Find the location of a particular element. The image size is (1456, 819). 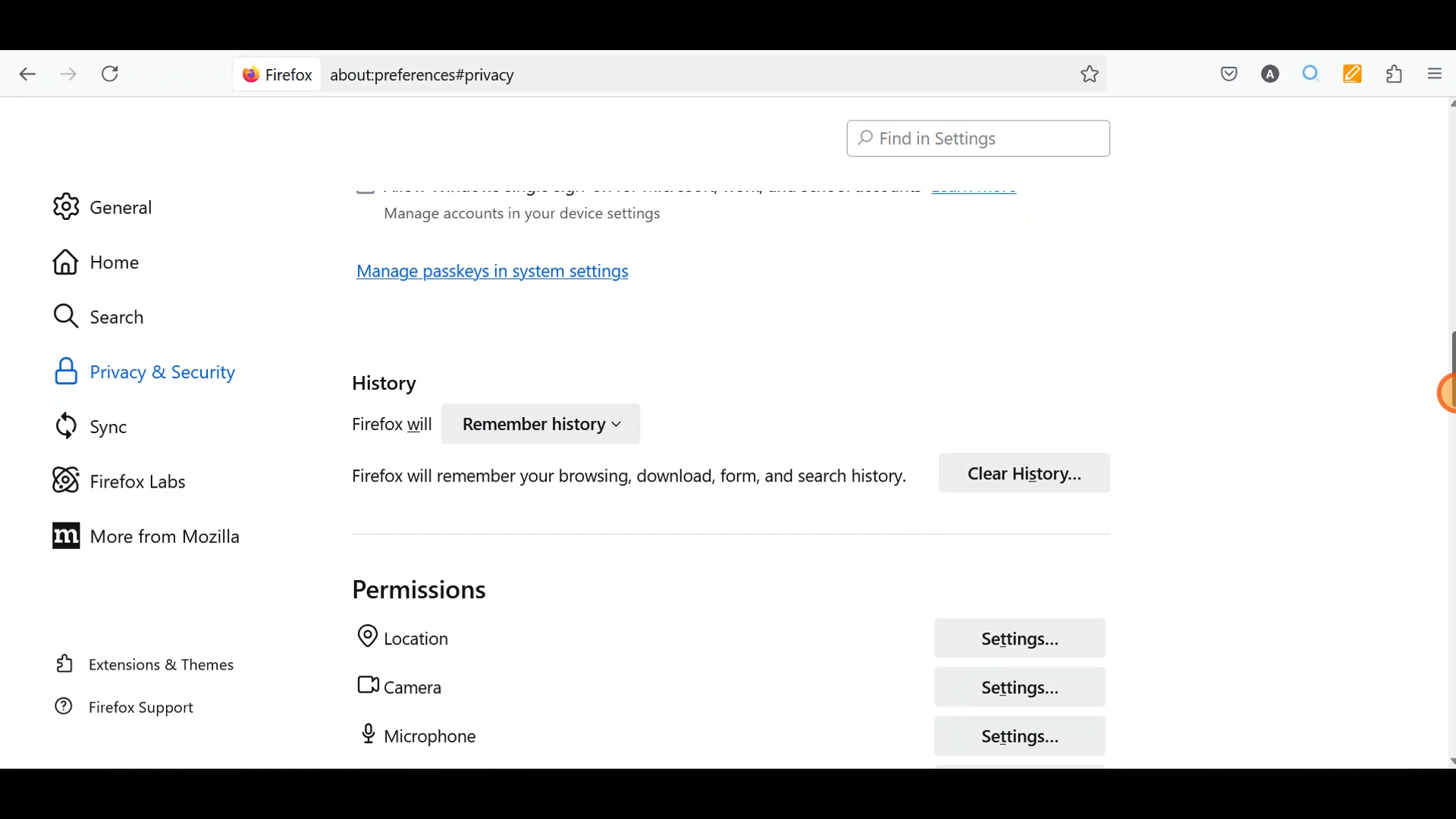

Account name is located at coordinates (1266, 76).